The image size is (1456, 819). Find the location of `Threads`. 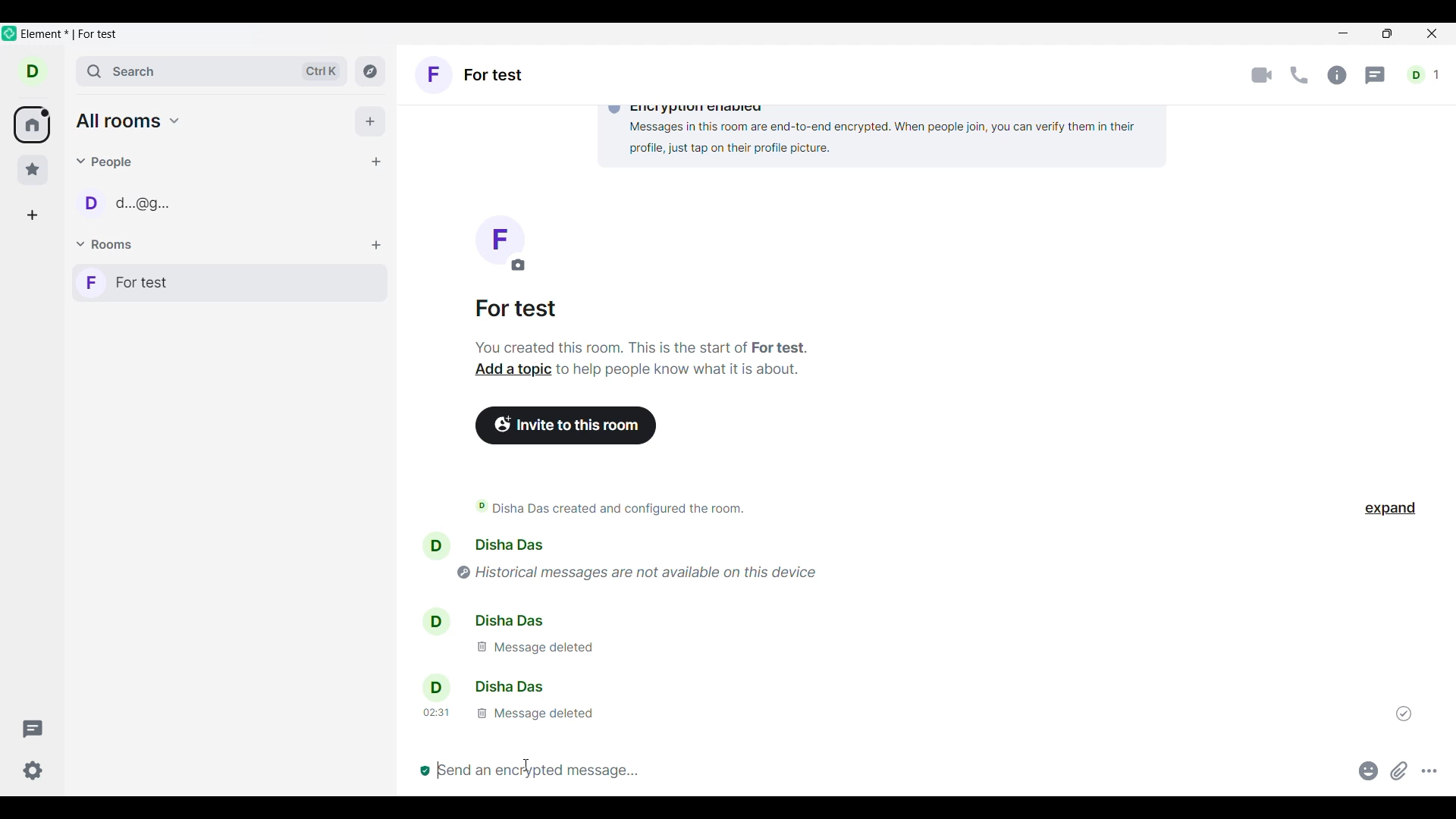

Threads is located at coordinates (1376, 76).